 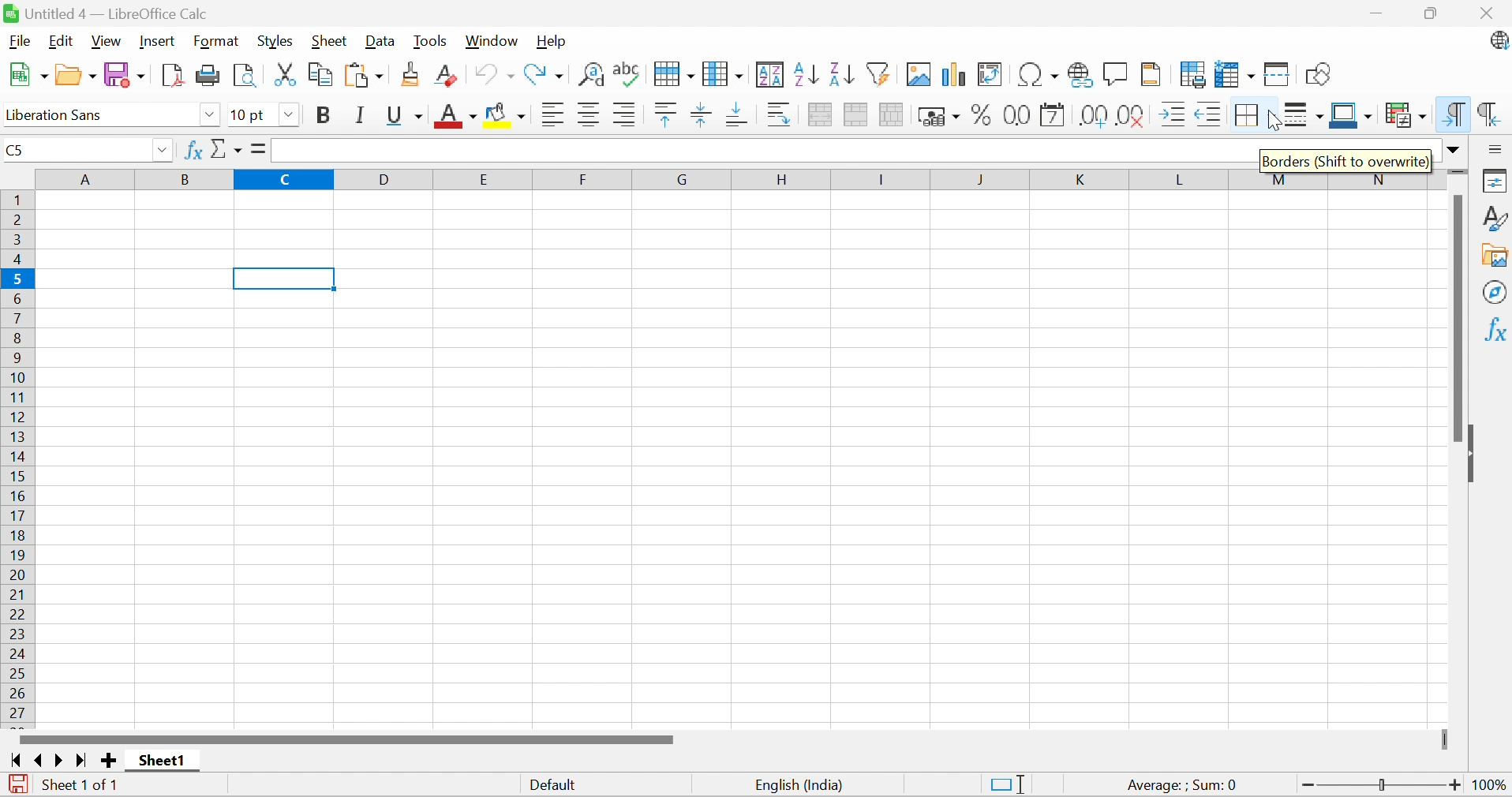 I want to click on Underline, so click(x=405, y=117).